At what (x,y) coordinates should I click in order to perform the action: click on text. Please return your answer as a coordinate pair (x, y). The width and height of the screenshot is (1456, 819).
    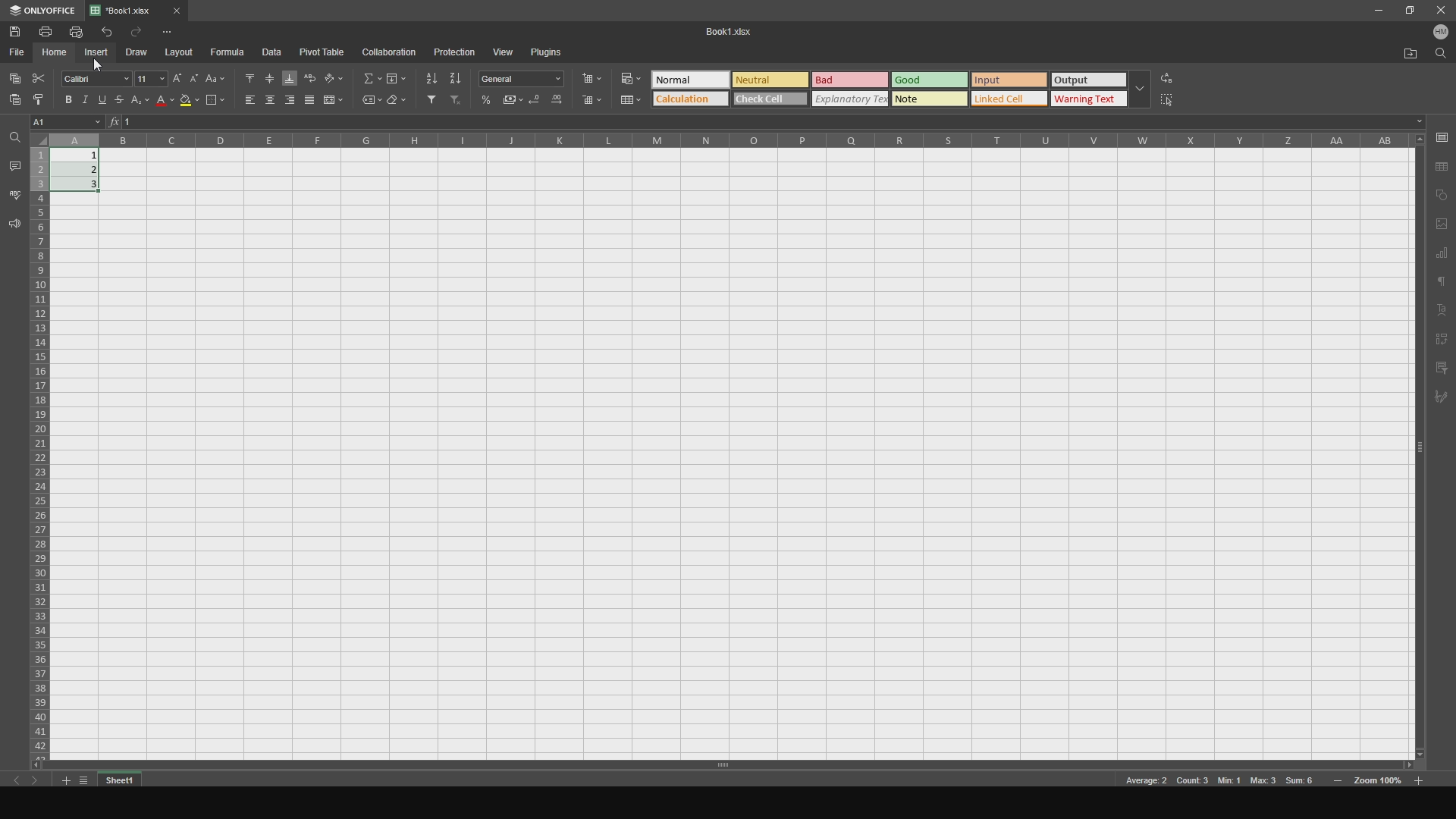
    Looking at the image, I should click on (1442, 284).